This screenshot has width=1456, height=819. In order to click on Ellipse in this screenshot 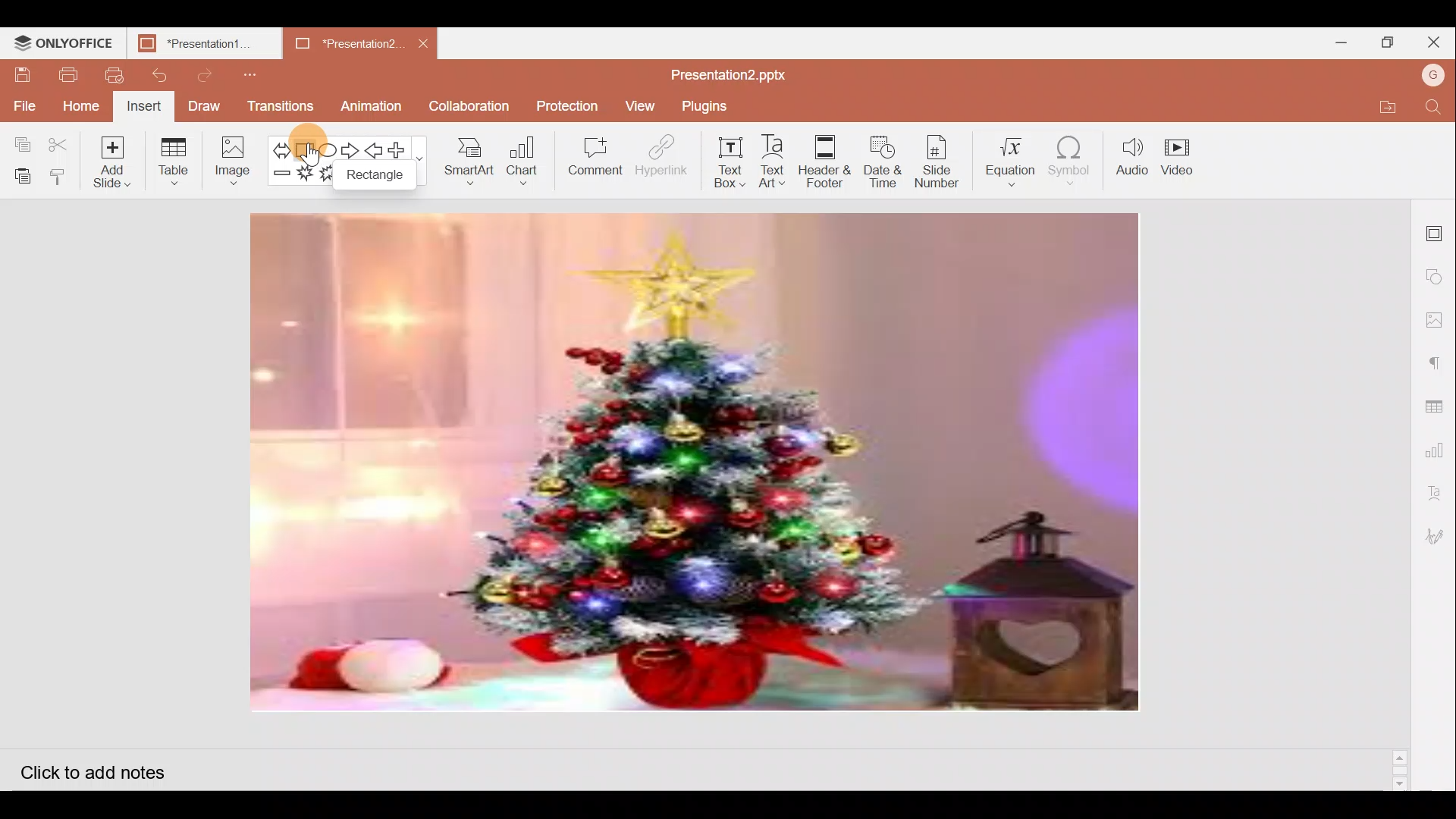, I will do `click(329, 146)`.